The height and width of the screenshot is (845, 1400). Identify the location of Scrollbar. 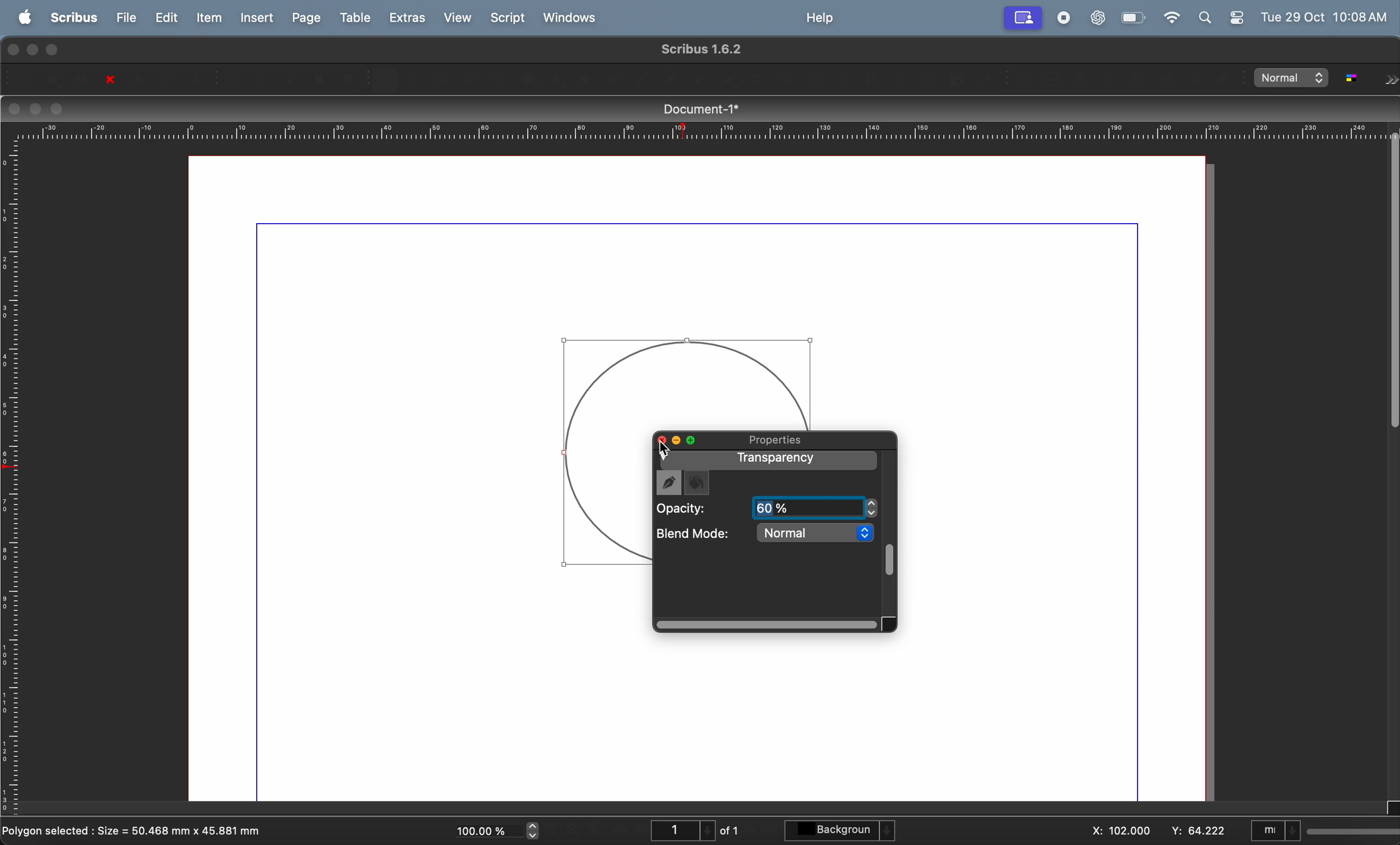
(1391, 276).